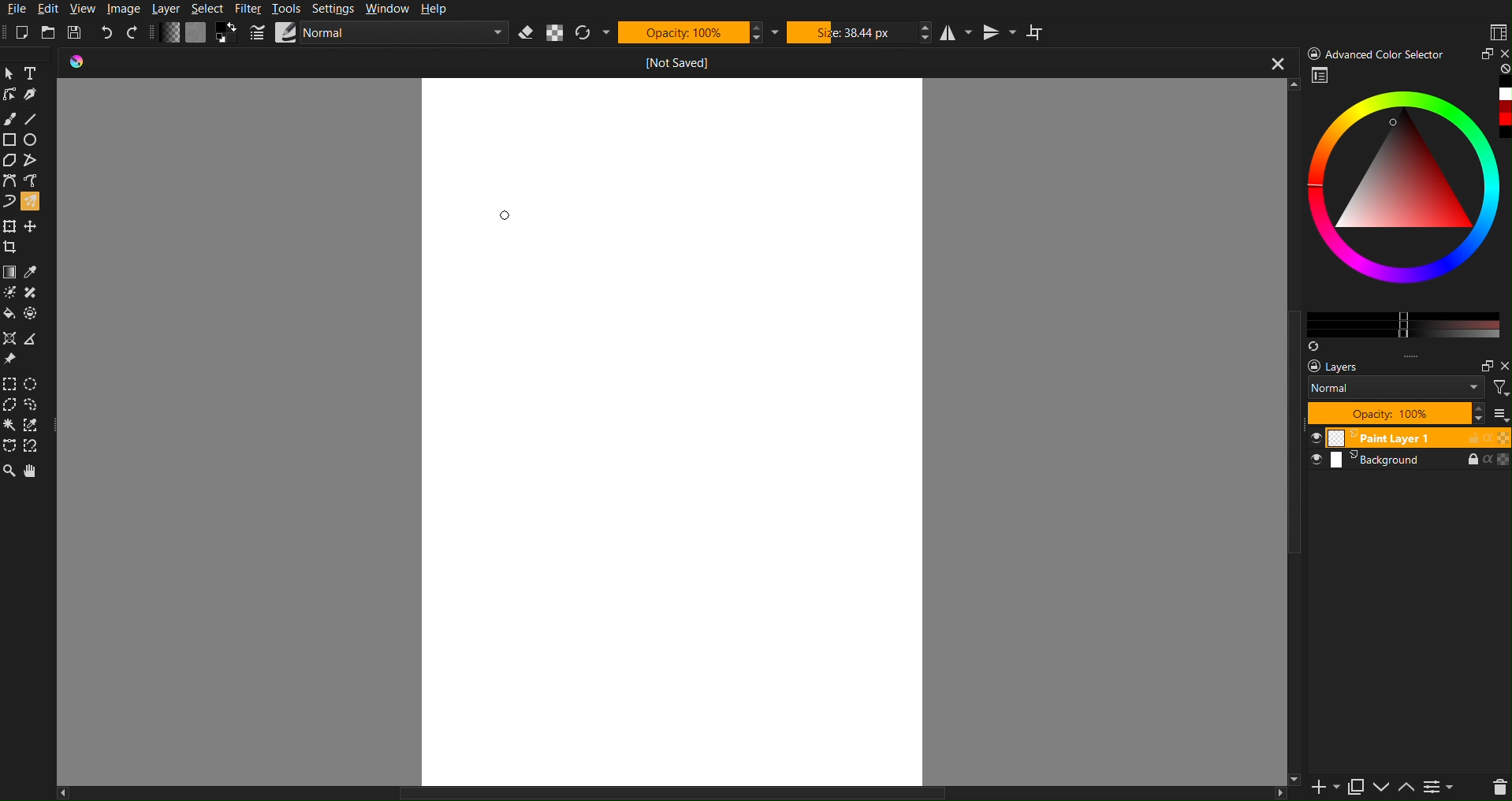  Describe the element at coordinates (1499, 387) in the screenshot. I see `filter` at that location.